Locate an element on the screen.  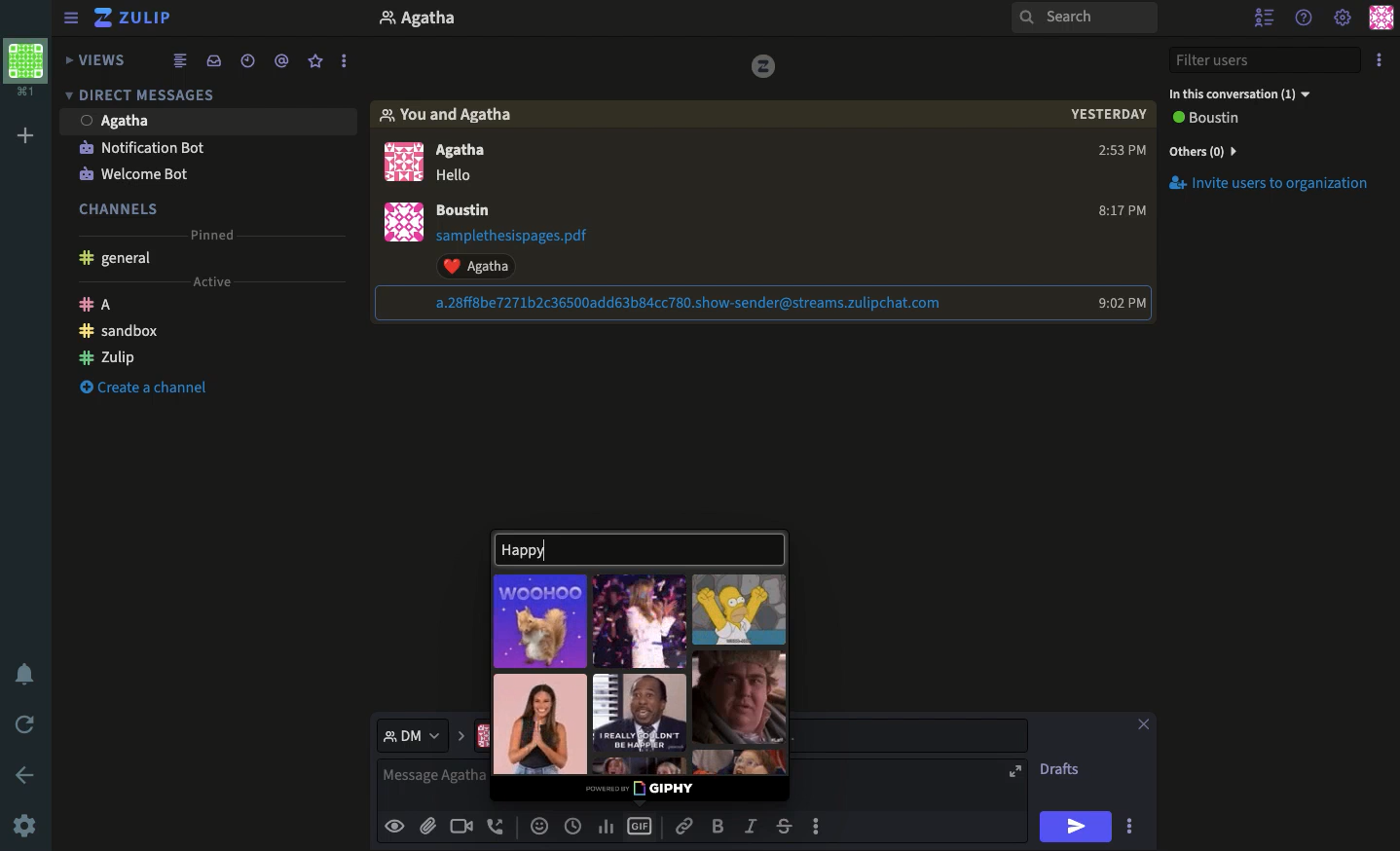
Create a channel is located at coordinates (143, 388).